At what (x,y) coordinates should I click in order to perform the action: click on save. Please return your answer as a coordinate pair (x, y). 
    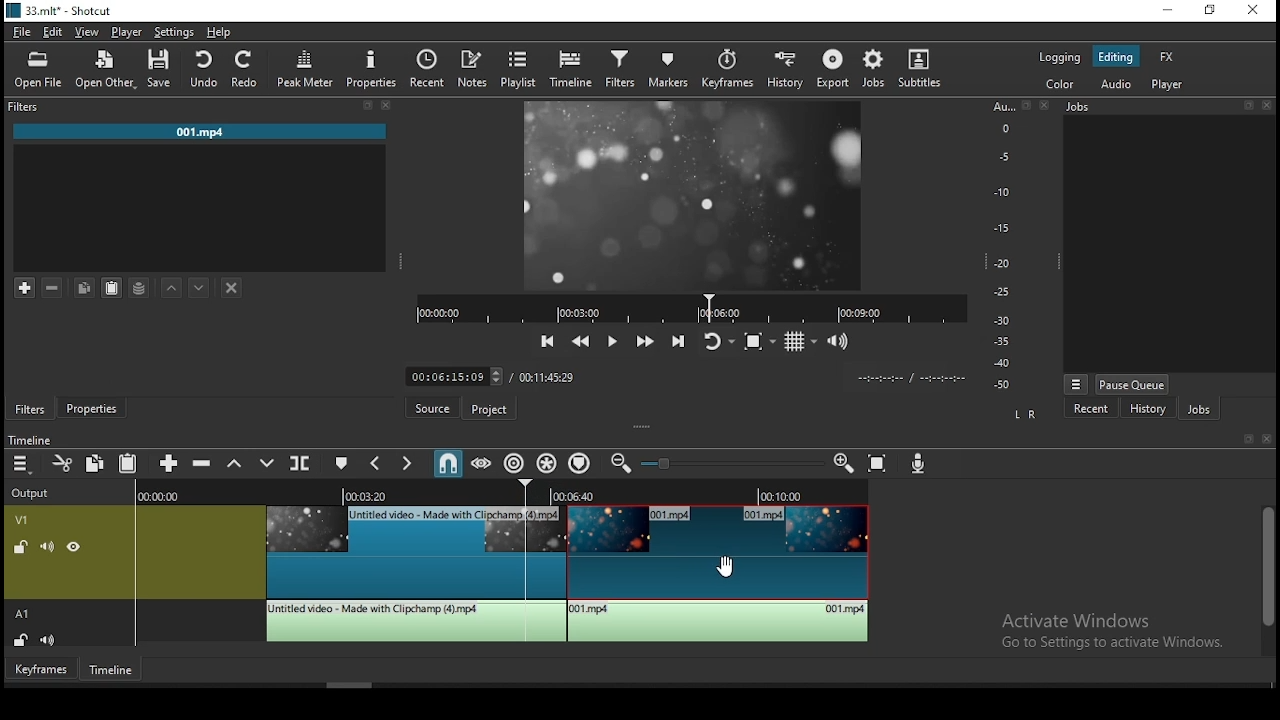
    Looking at the image, I should click on (163, 70).